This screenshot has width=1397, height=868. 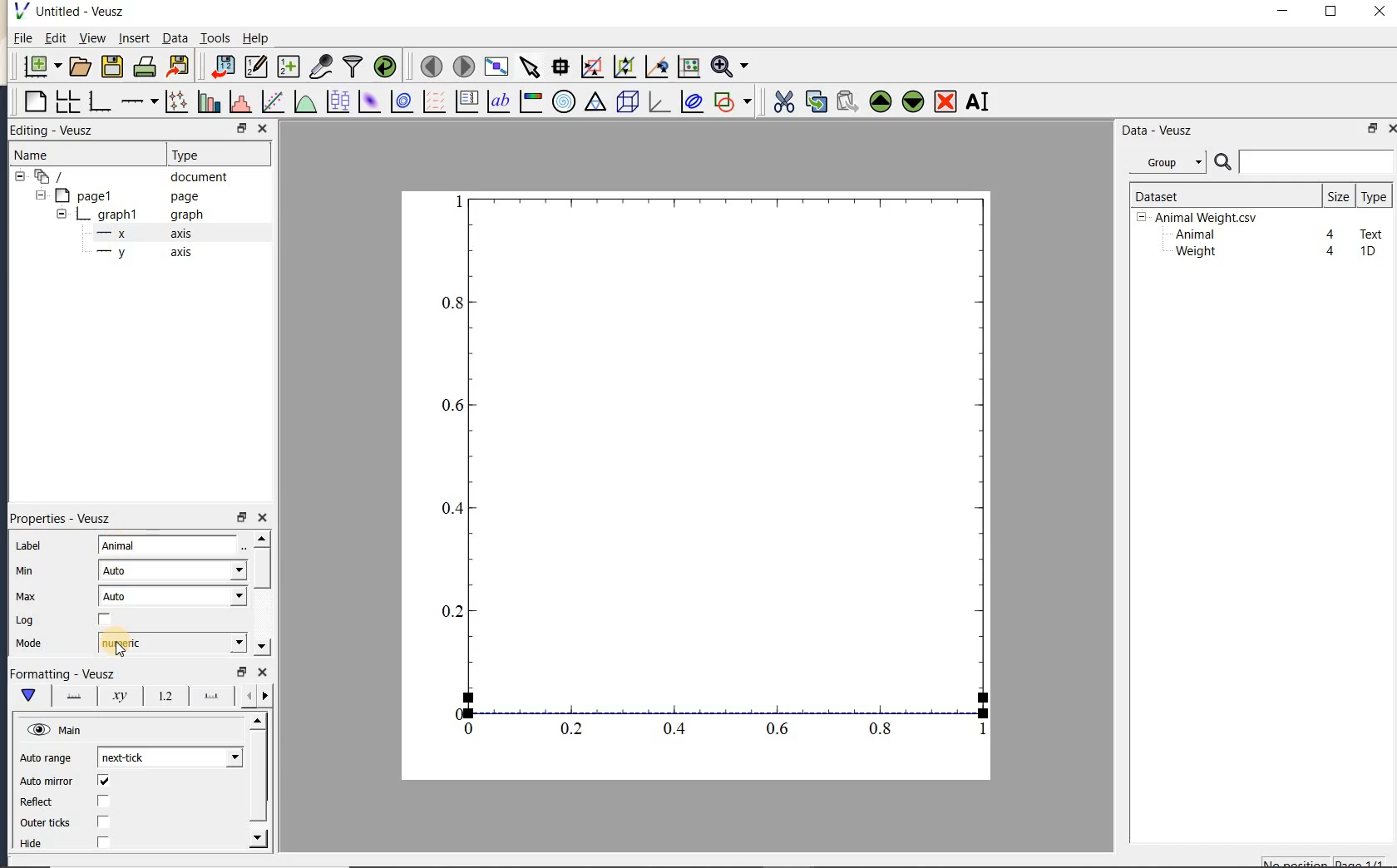 What do you see at coordinates (498, 103) in the screenshot?
I see `text label` at bounding box center [498, 103].